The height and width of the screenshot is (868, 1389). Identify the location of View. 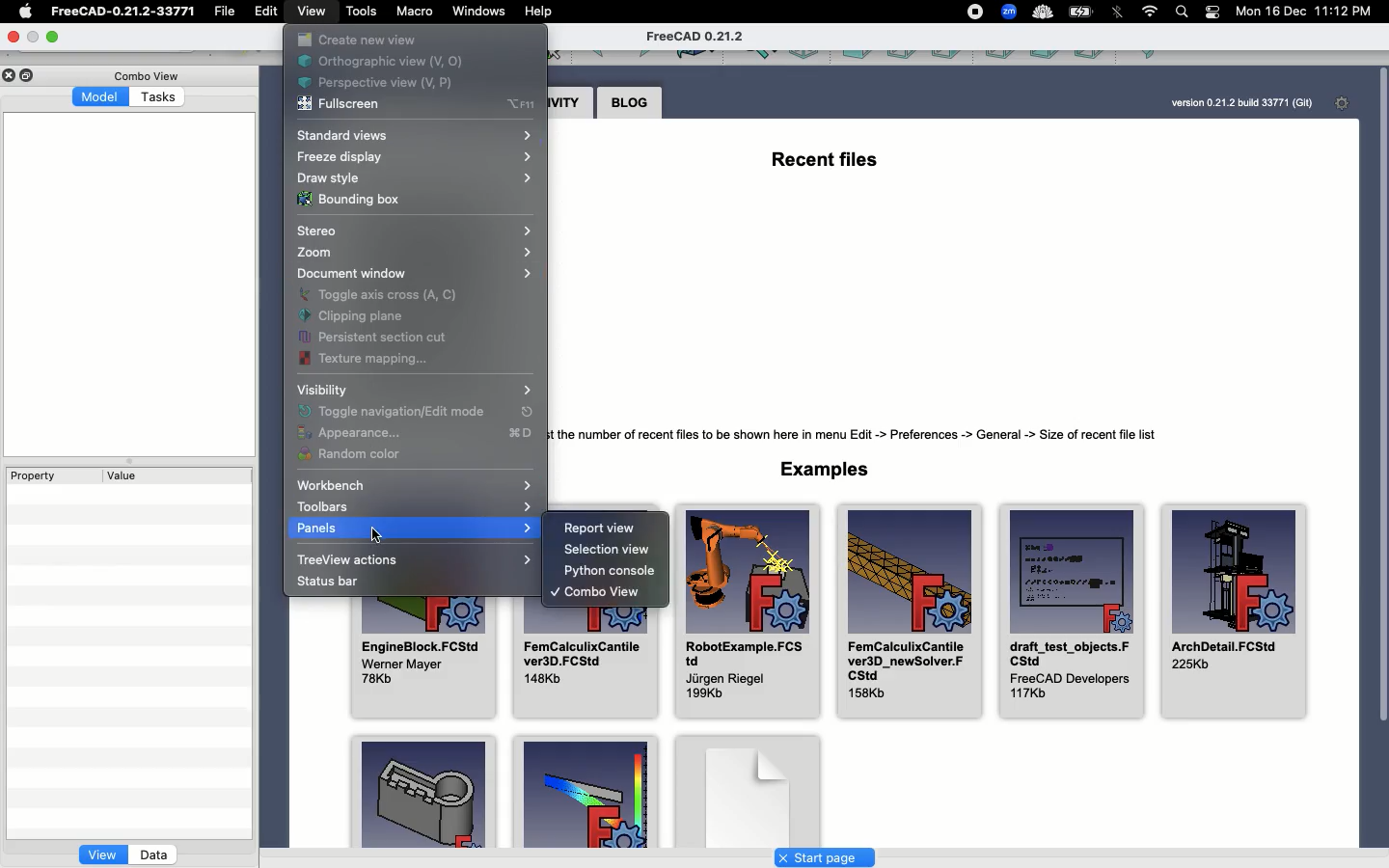
(314, 14).